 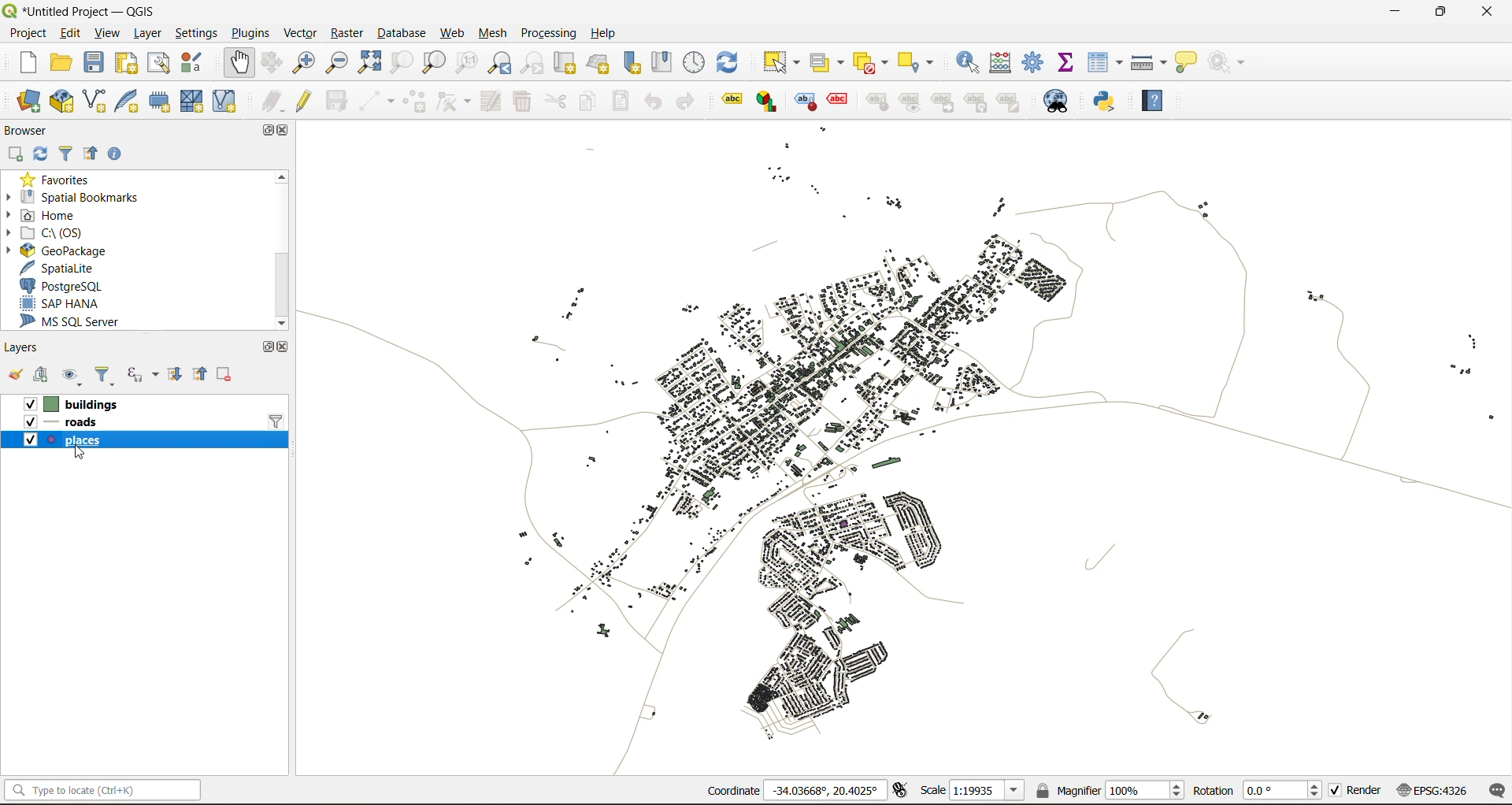 I want to click on settings, so click(x=198, y=31).